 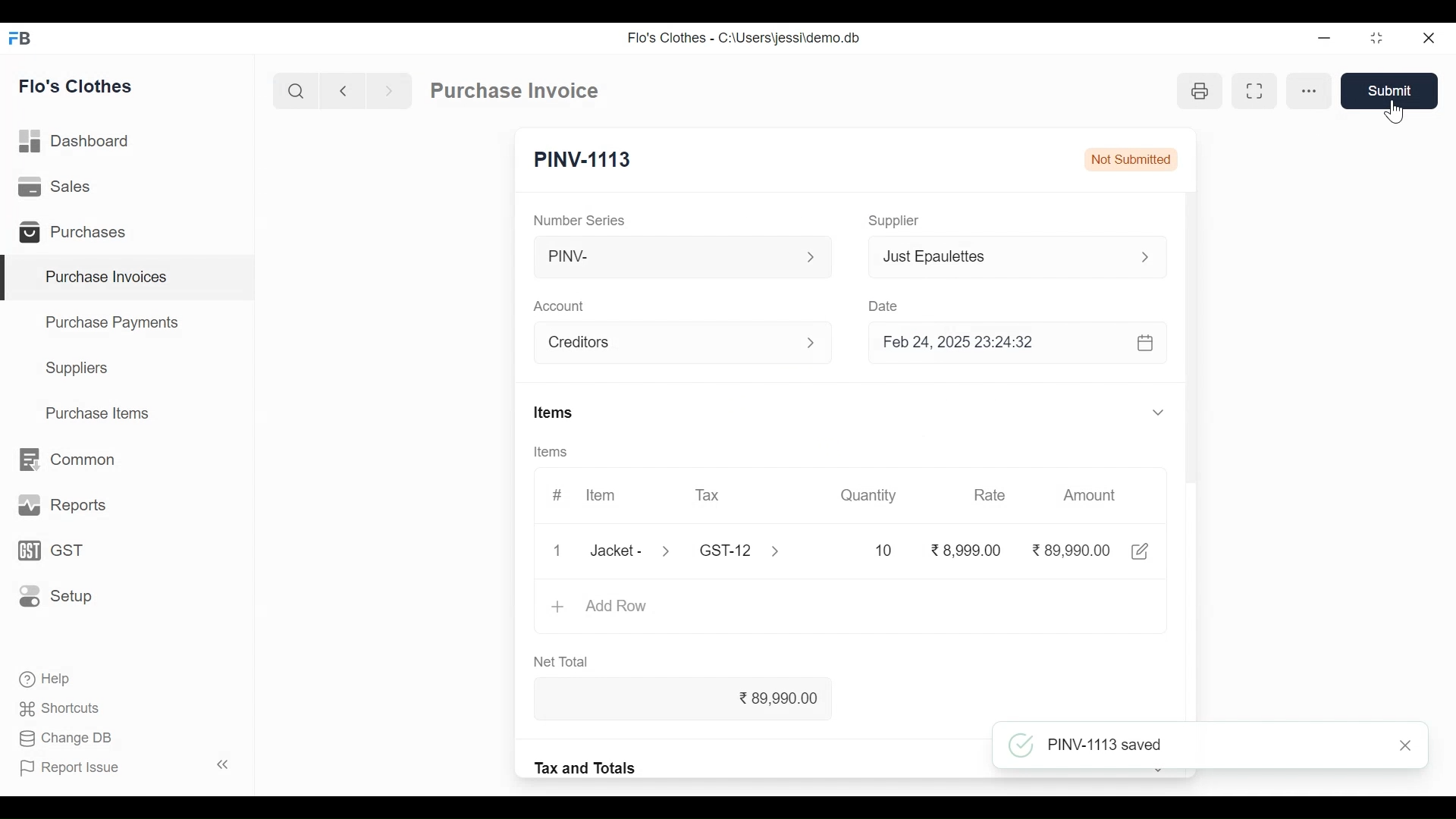 What do you see at coordinates (1131, 158) in the screenshot?
I see `Not Submitted` at bounding box center [1131, 158].